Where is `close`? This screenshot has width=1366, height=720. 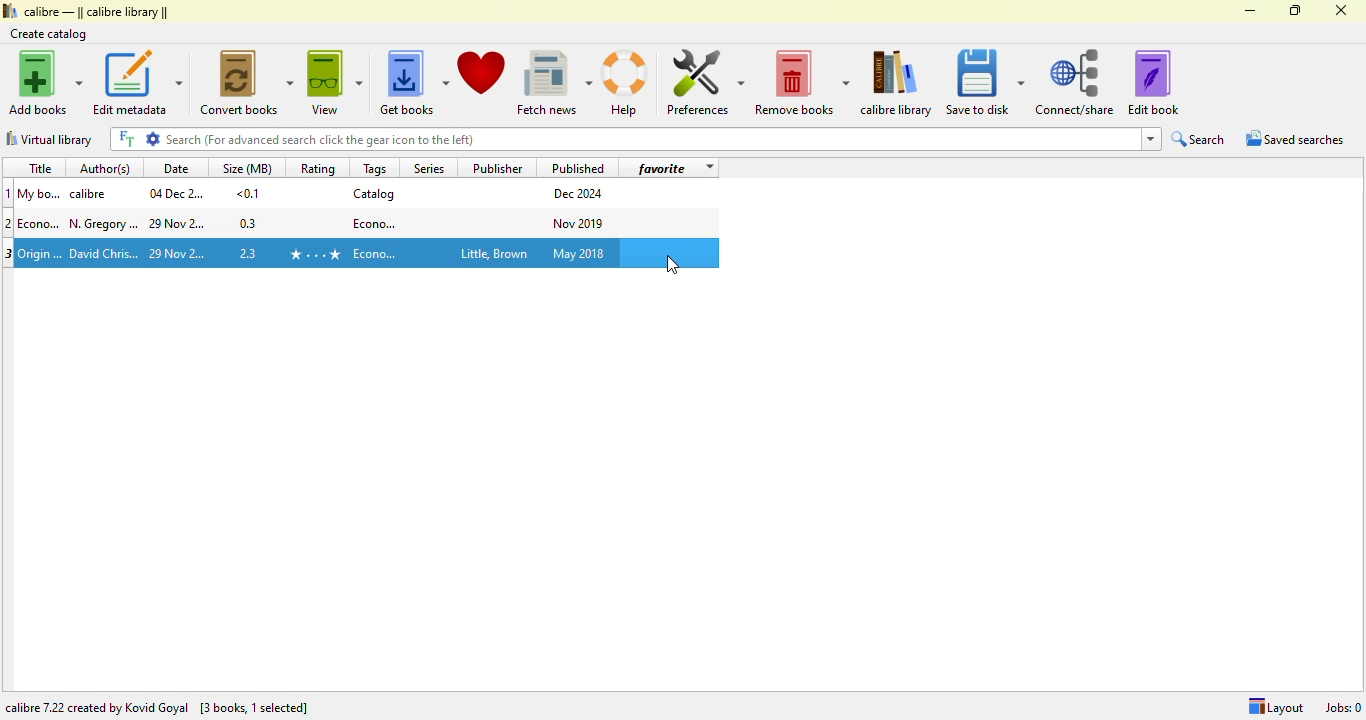 close is located at coordinates (1340, 10).